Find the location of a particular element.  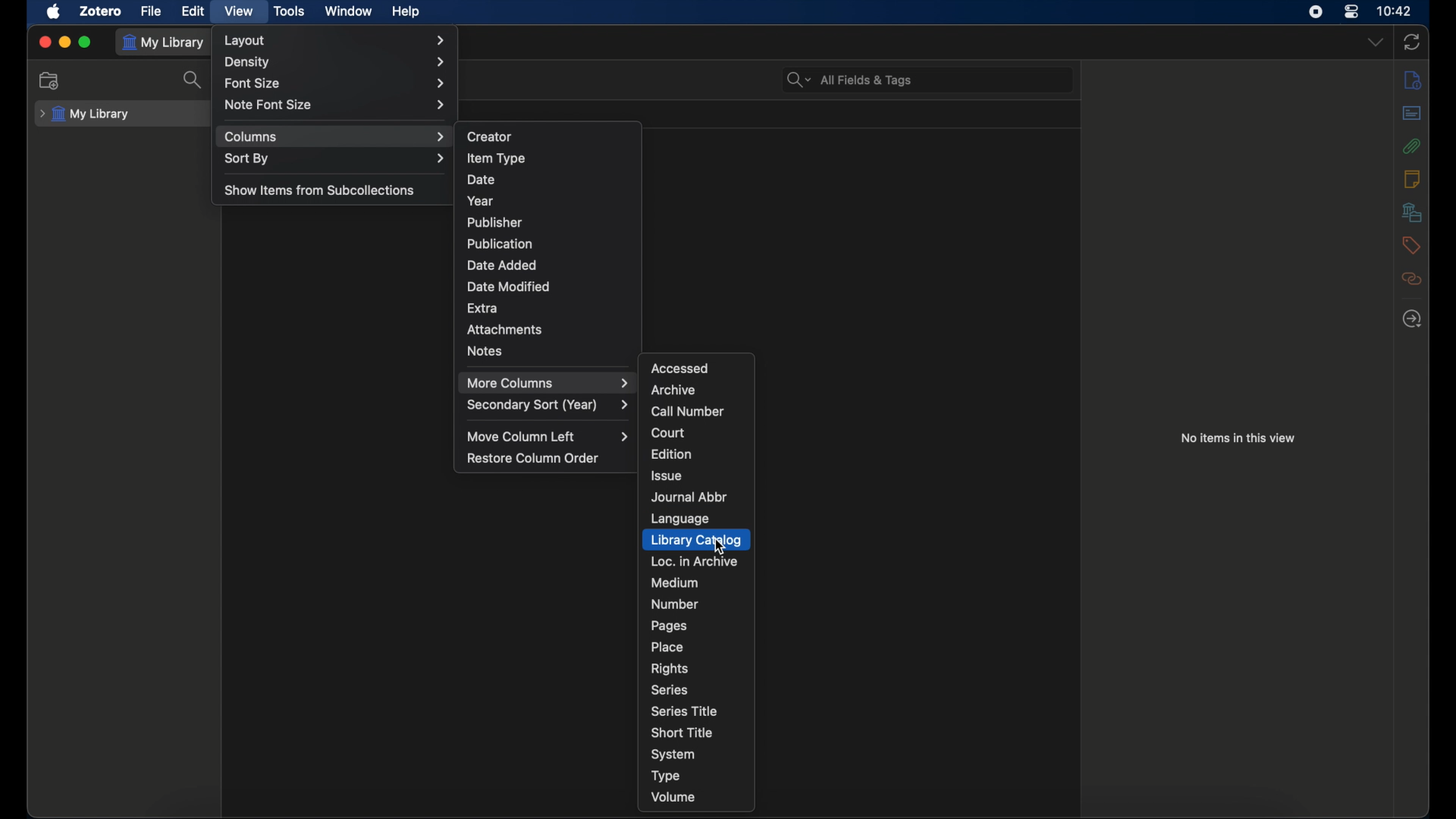

extra is located at coordinates (482, 309).